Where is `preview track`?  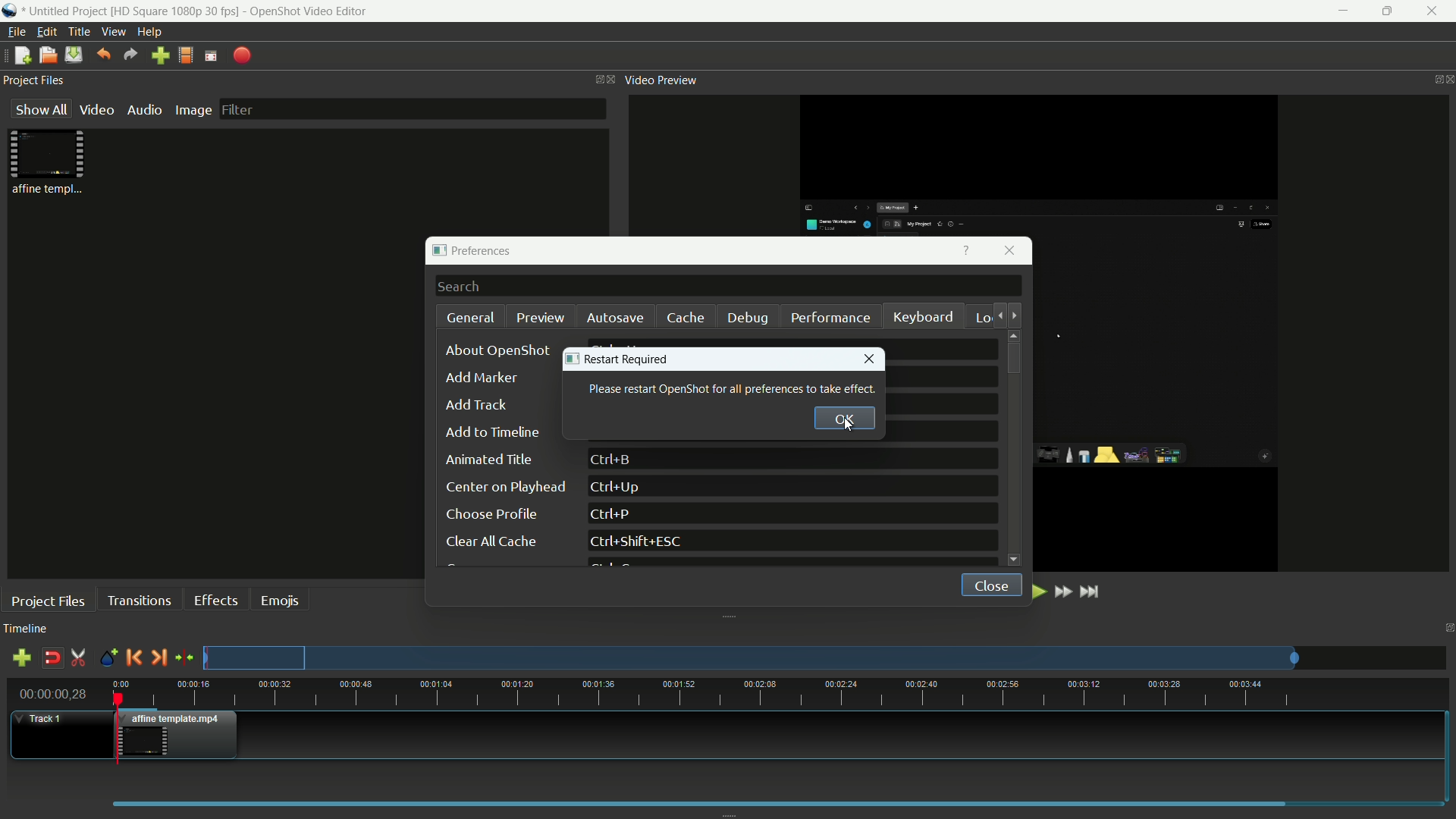
preview track is located at coordinates (750, 657).